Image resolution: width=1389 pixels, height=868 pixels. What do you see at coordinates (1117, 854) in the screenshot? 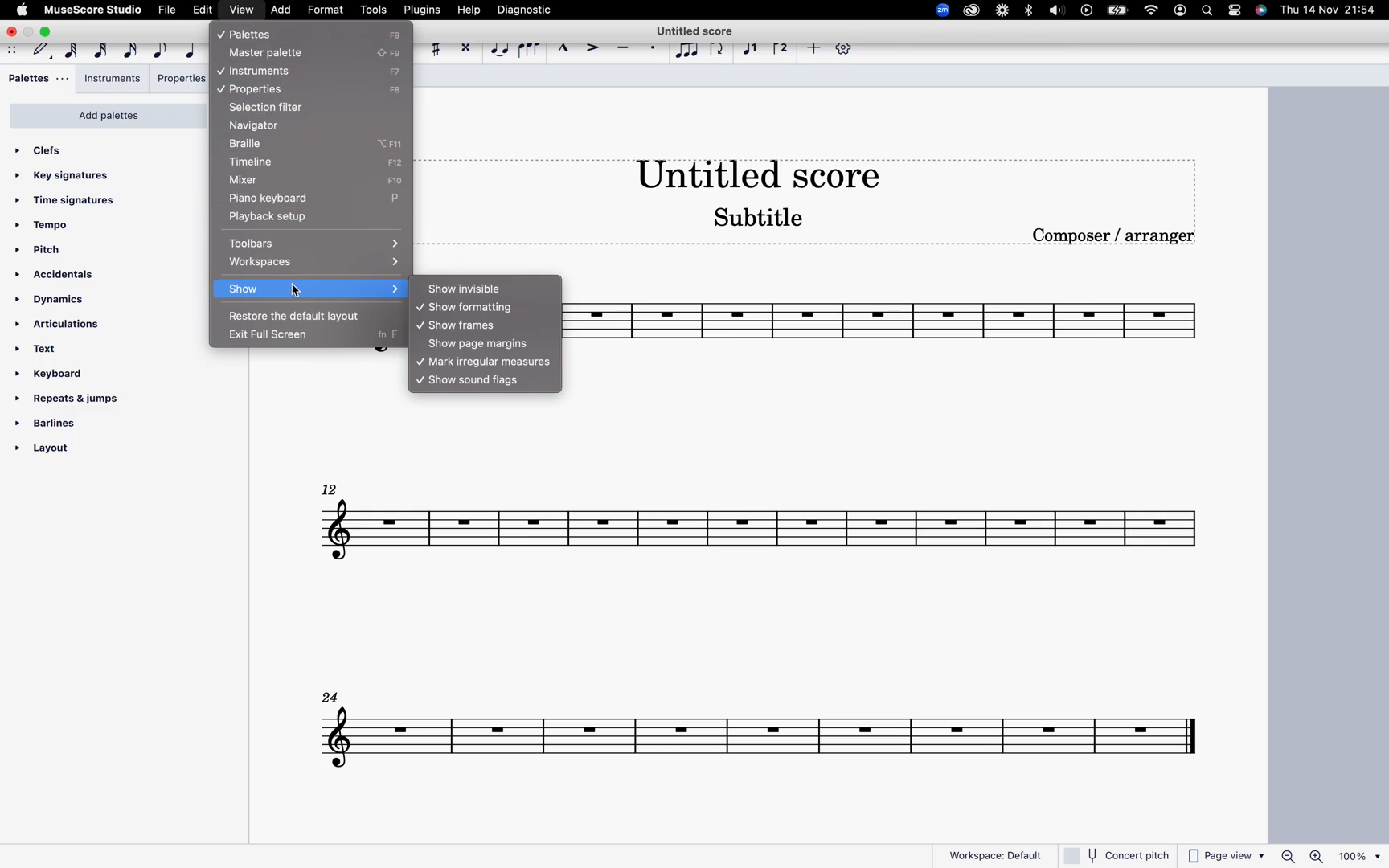
I see `concert pitch` at bounding box center [1117, 854].